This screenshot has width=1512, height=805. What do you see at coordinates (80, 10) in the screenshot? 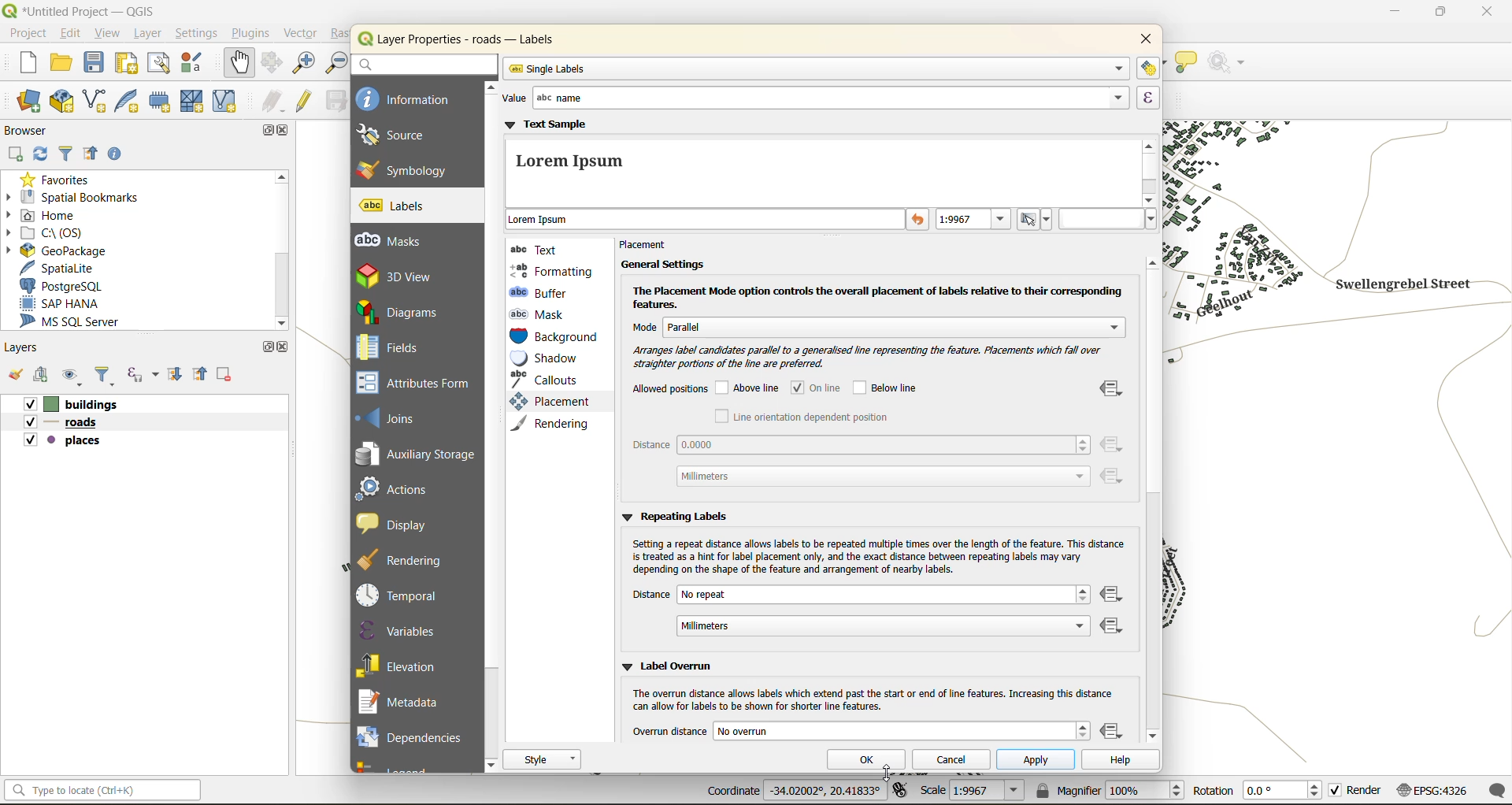
I see `file name and app name` at bounding box center [80, 10].